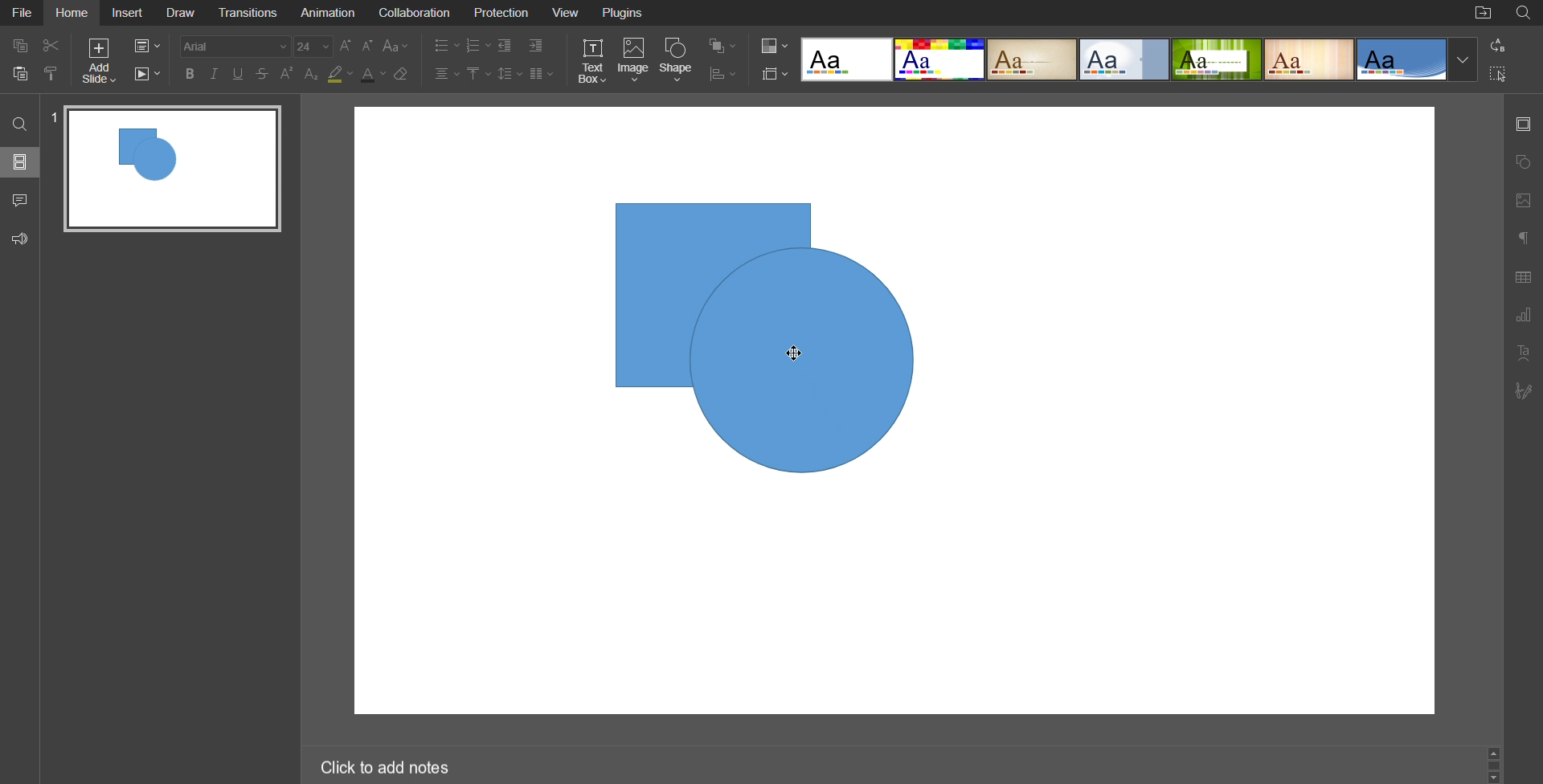 Image resolution: width=1543 pixels, height=784 pixels. Describe the element at coordinates (313, 75) in the screenshot. I see `Subscript` at that location.